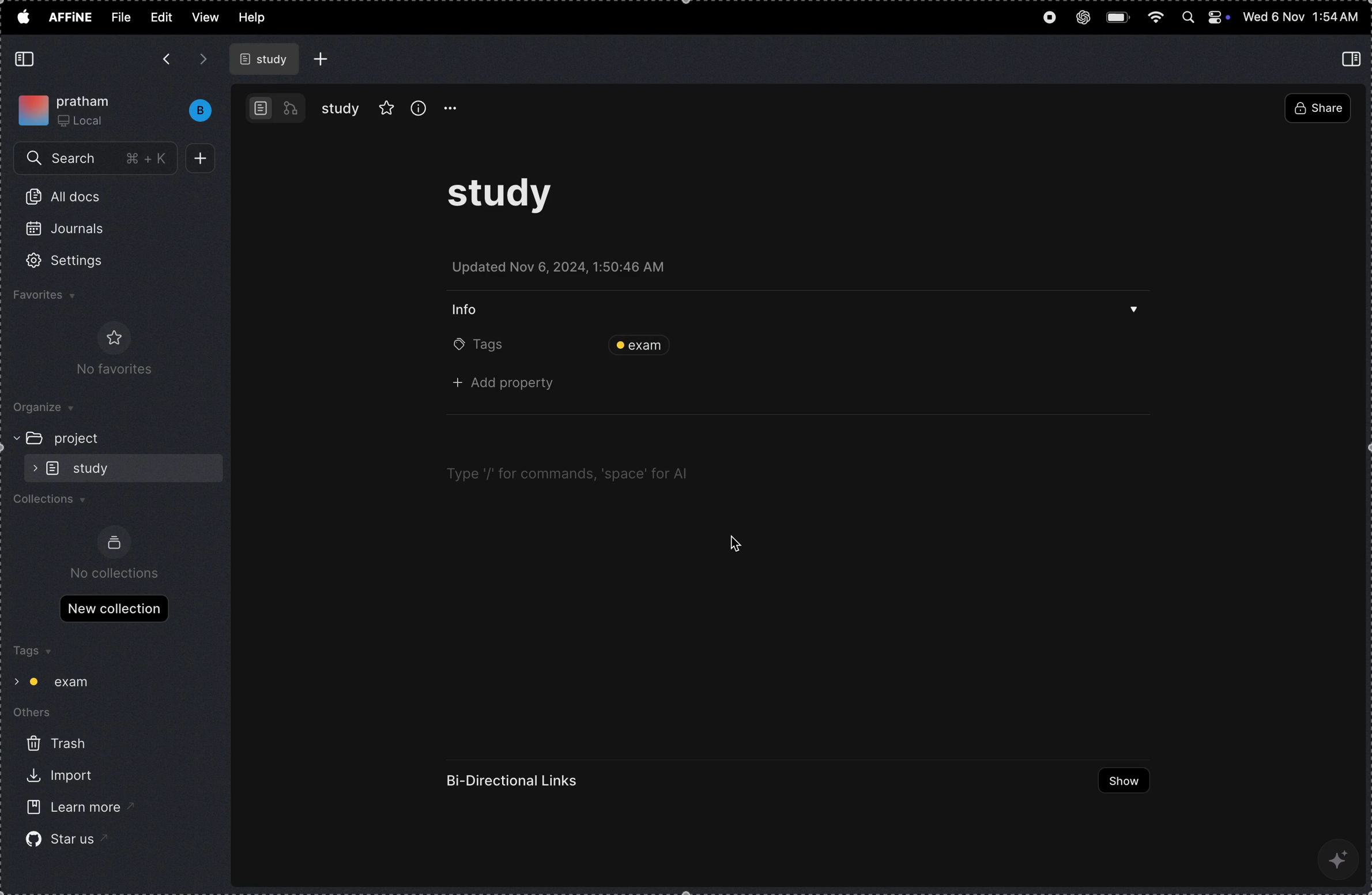 The width and height of the screenshot is (1372, 895). I want to click on organize, so click(52, 409).